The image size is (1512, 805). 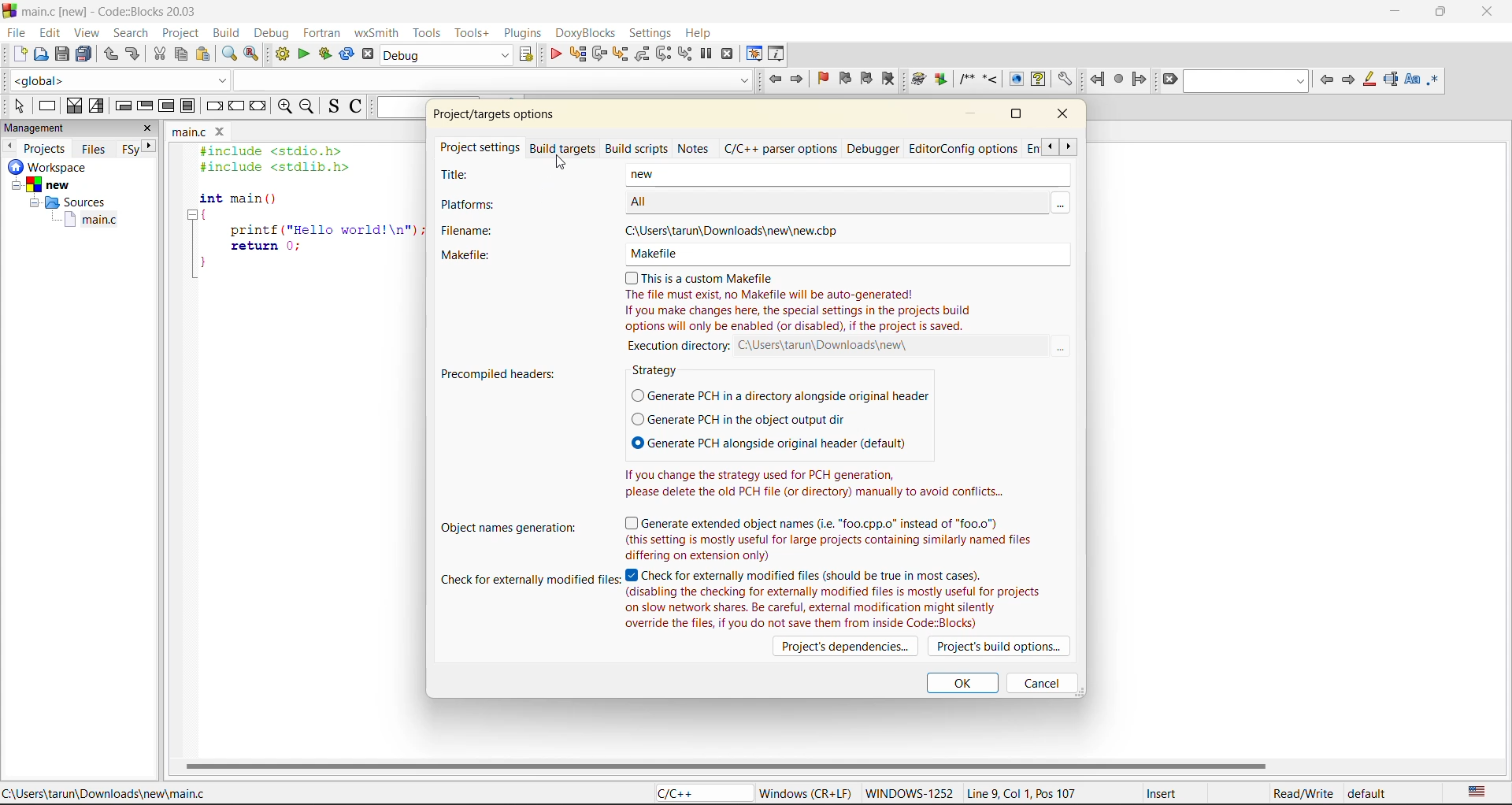 I want to click on settings, so click(x=651, y=34).